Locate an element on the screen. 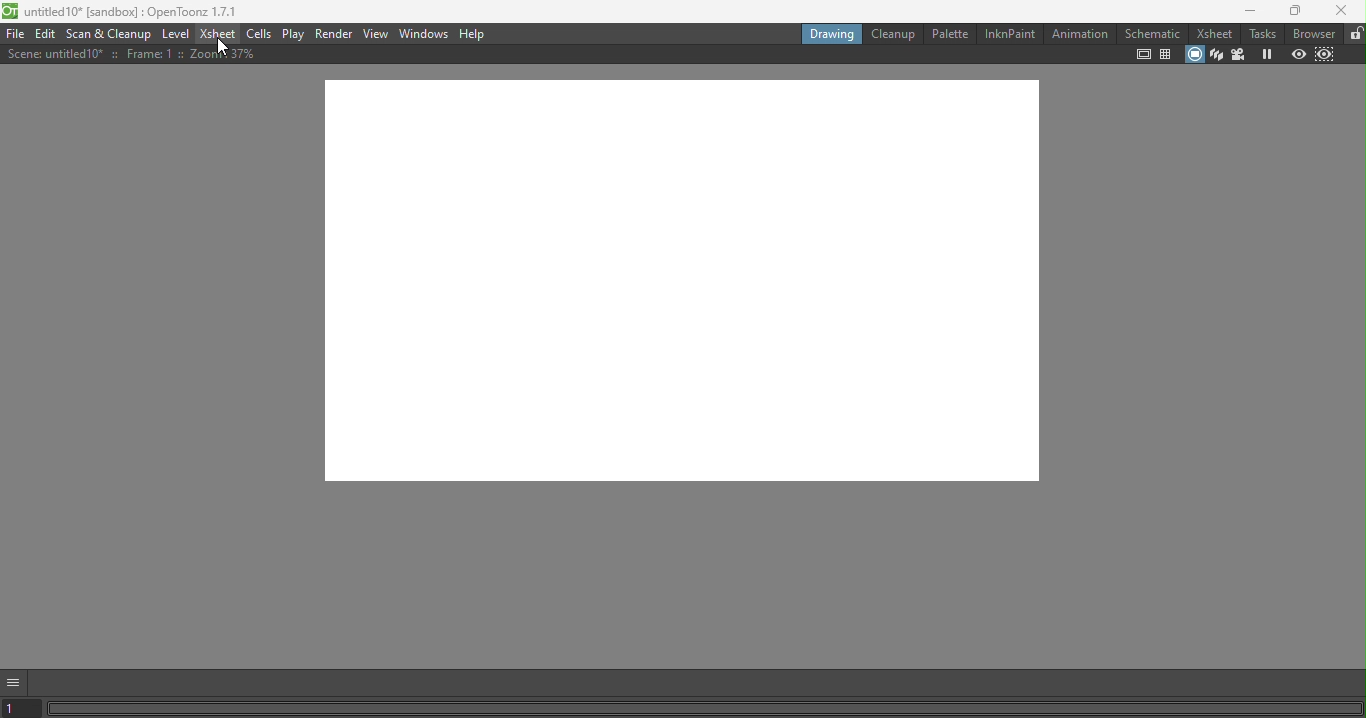 The height and width of the screenshot is (718, 1366). View is located at coordinates (376, 33).